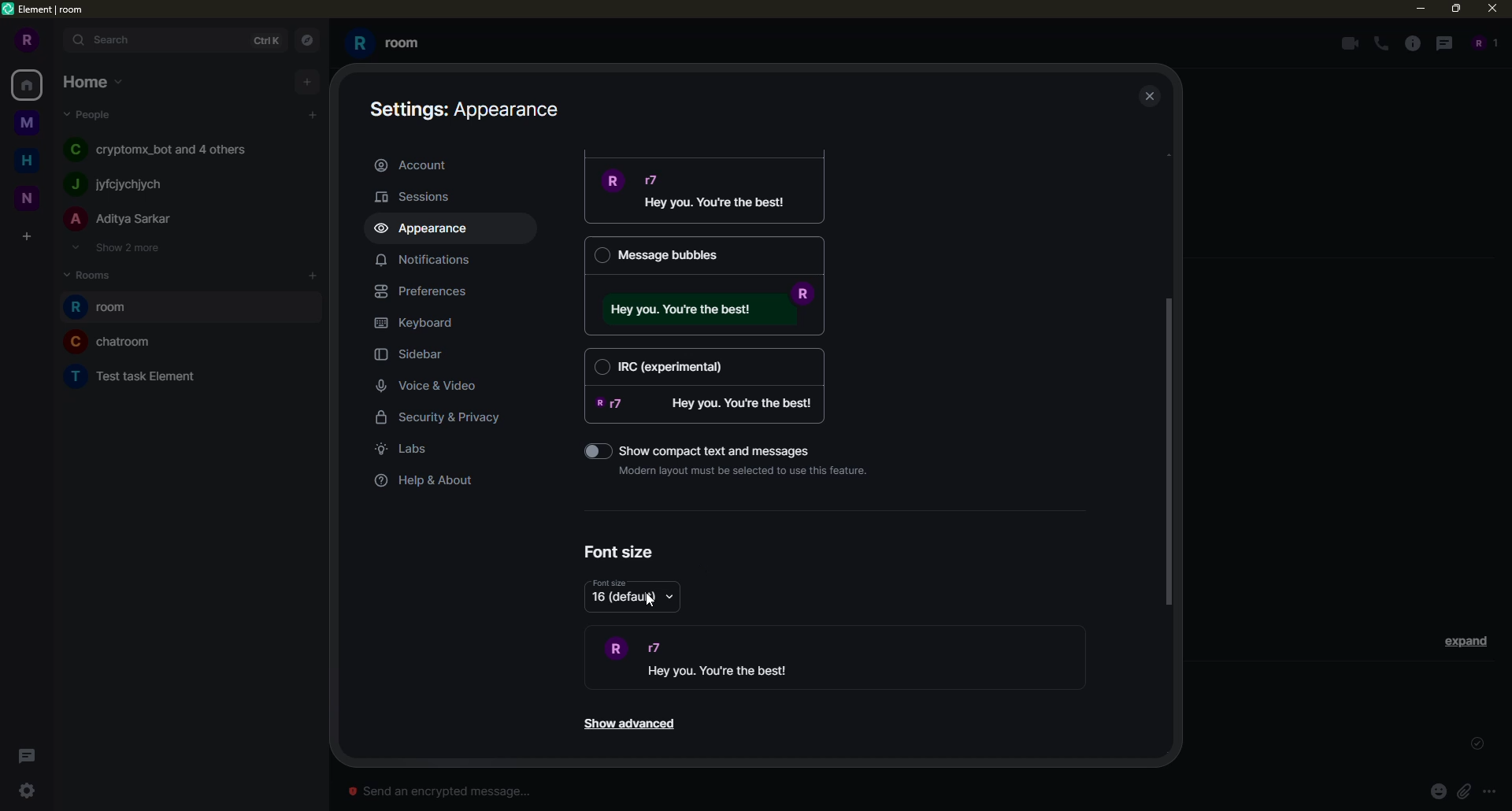 This screenshot has height=811, width=1512. What do you see at coordinates (24, 756) in the screenshot?
I see `threads` at bounding box center [24, 756].